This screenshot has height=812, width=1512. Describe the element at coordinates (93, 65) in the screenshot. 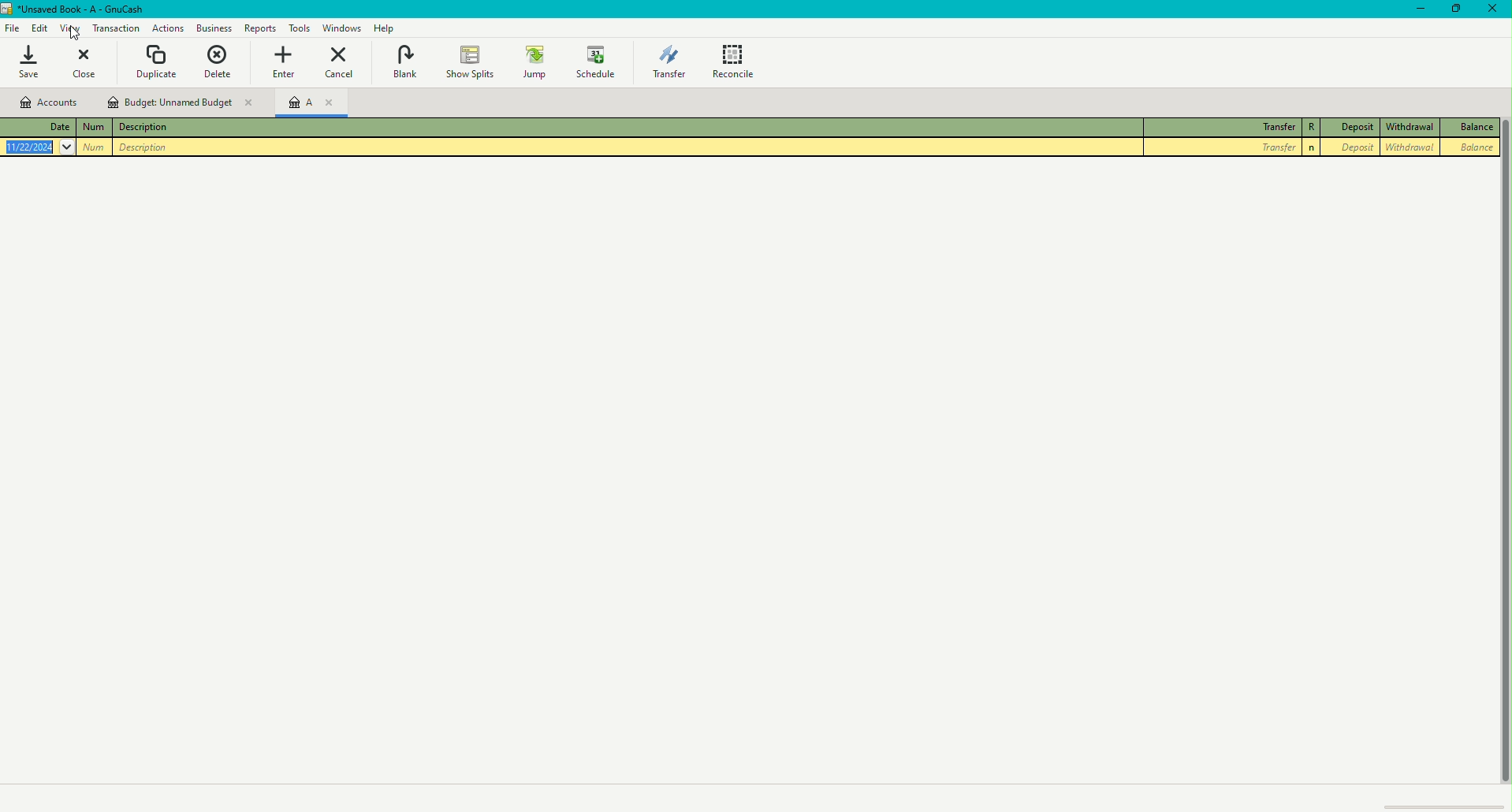

I see `Close` at that location.